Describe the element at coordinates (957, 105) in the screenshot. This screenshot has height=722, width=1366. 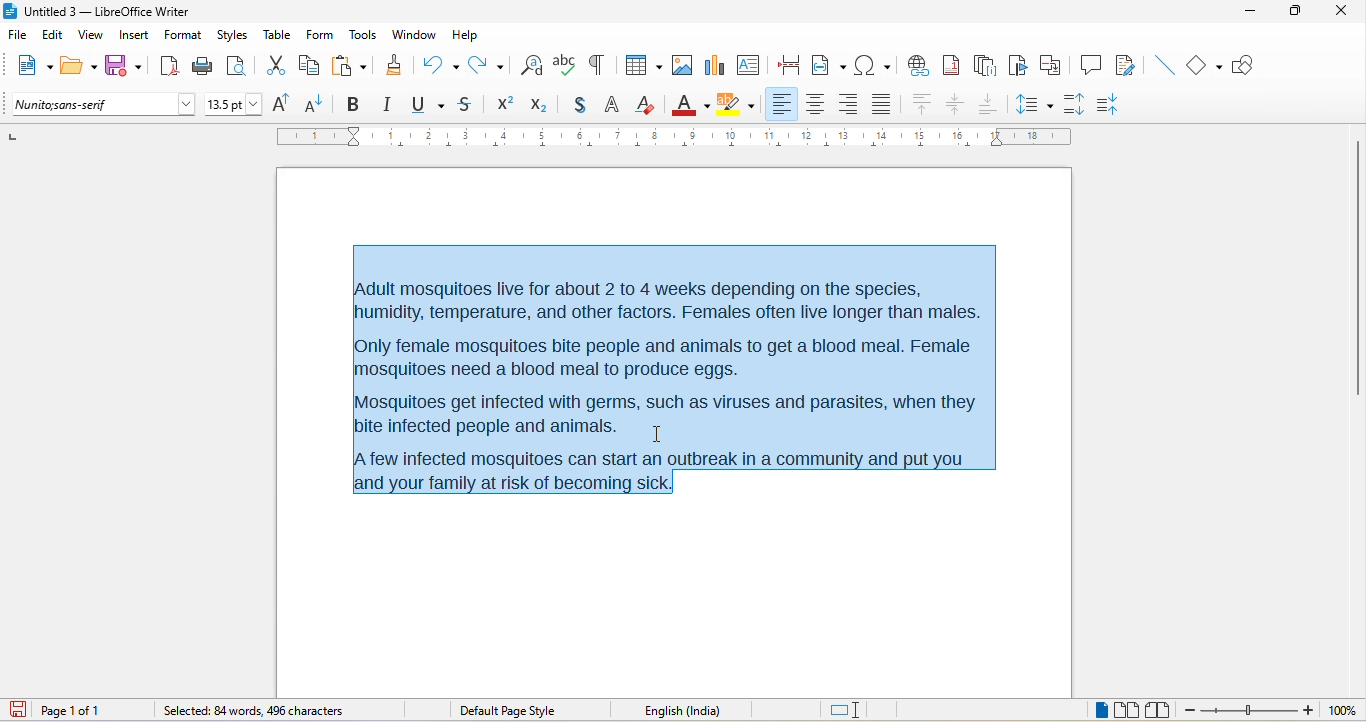
I see `center` at that location.